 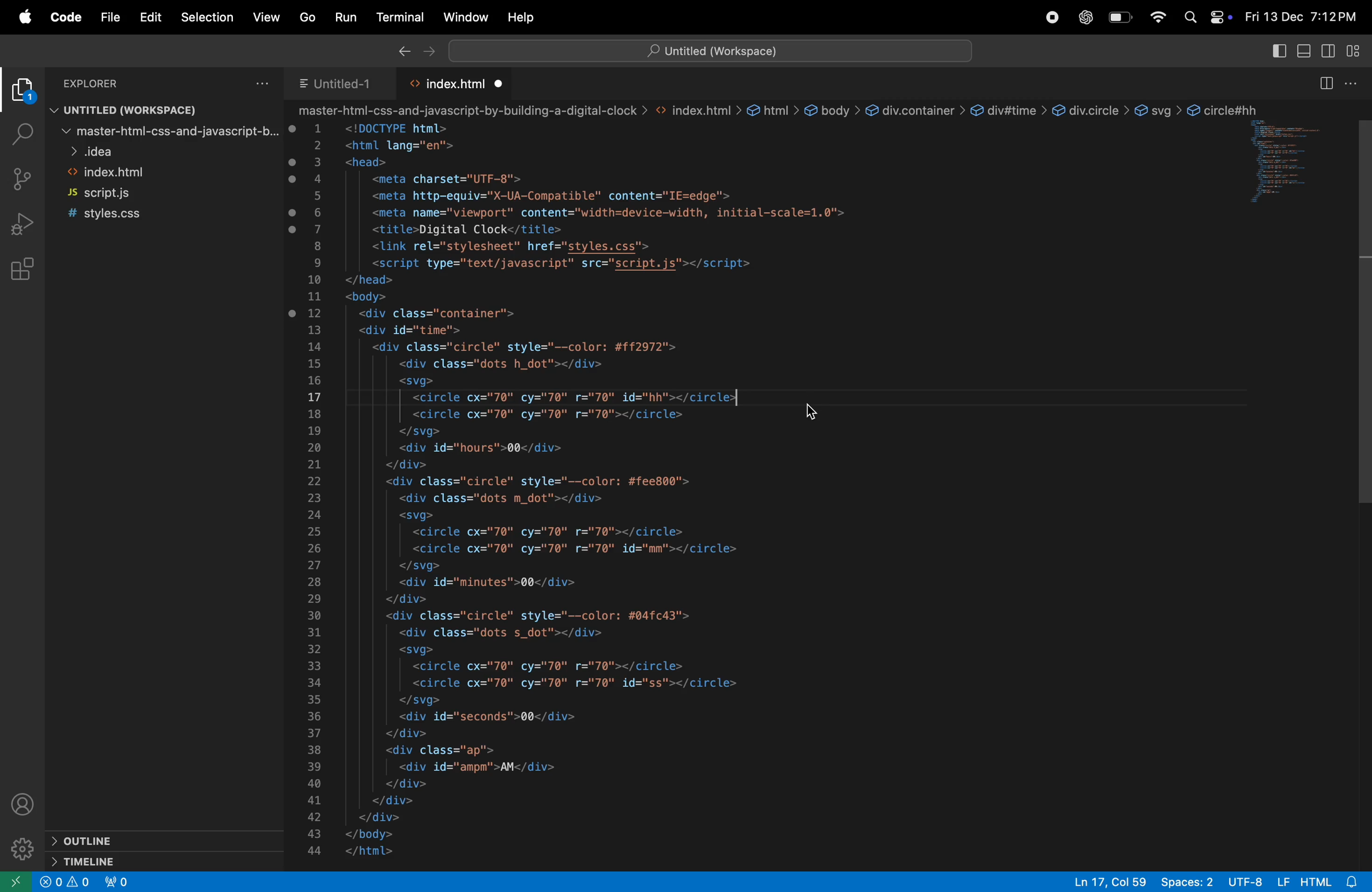 What do you see at coordinates (1120, 18) in the screenshot?
I see `battery` at bounding box center [1120, 18].